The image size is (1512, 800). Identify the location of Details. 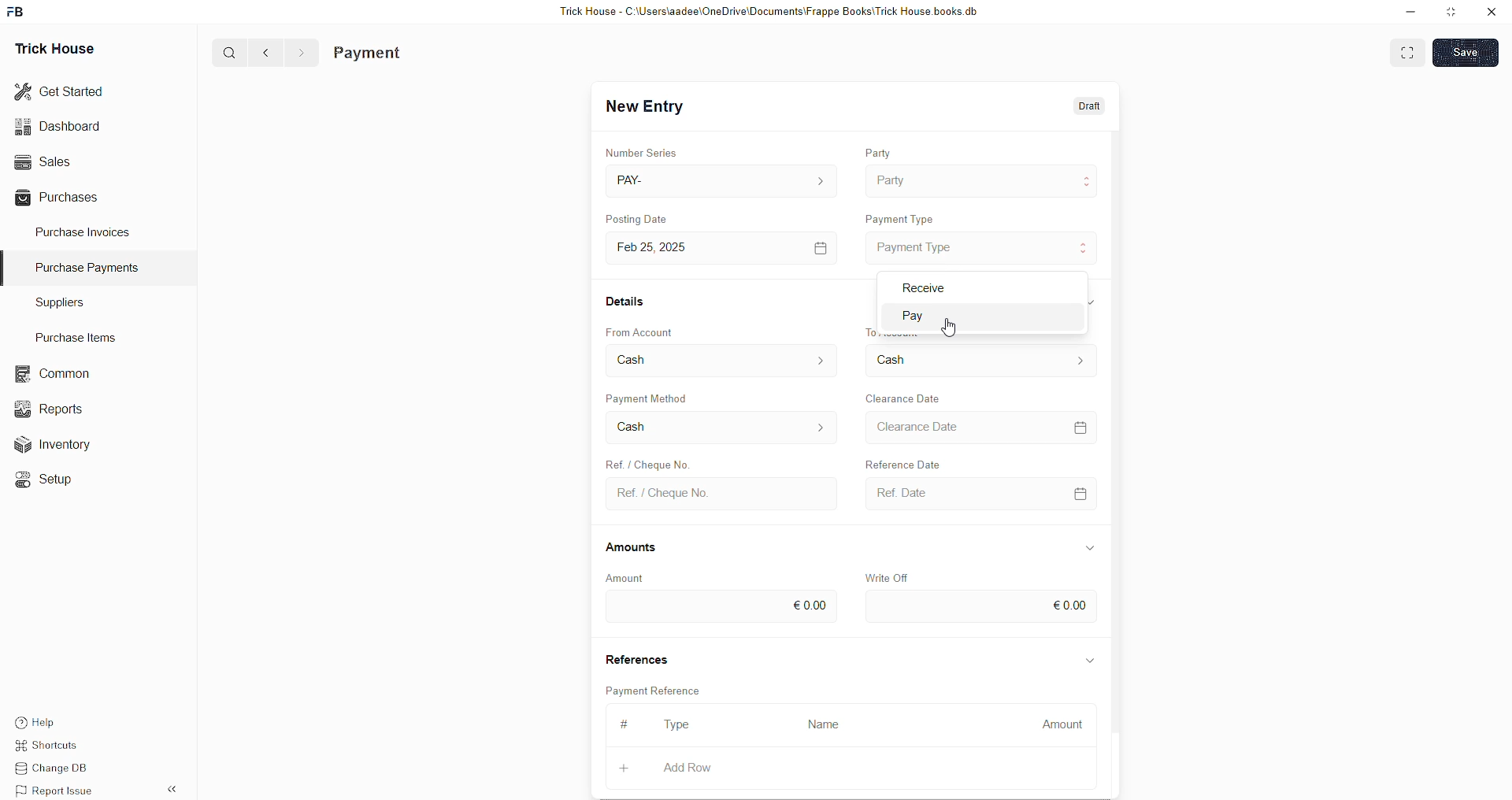
(628, 300).